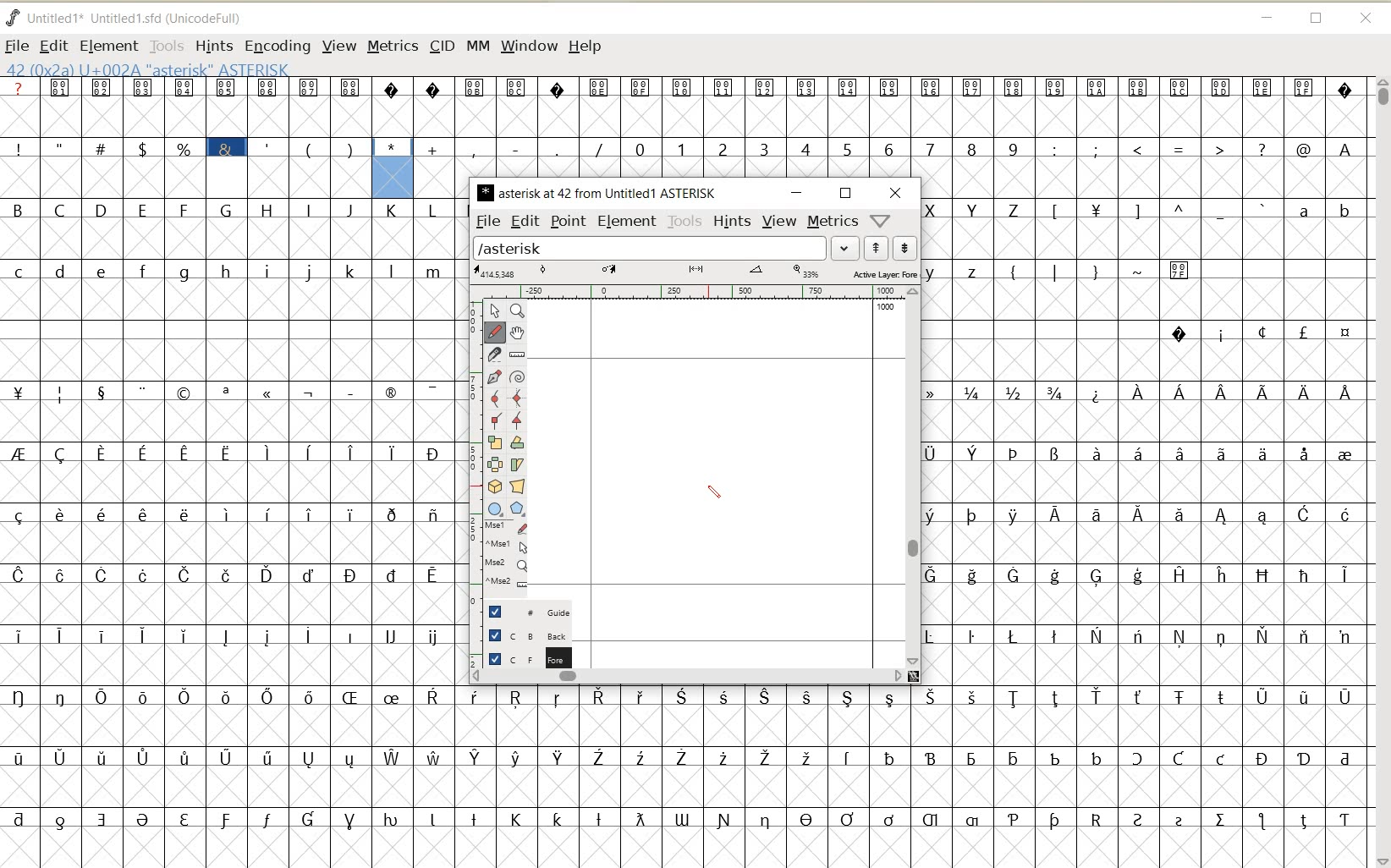  Describe the element at coordinates (1381, 471) in the screenshot. I see `SCROLLBAR` at that location.